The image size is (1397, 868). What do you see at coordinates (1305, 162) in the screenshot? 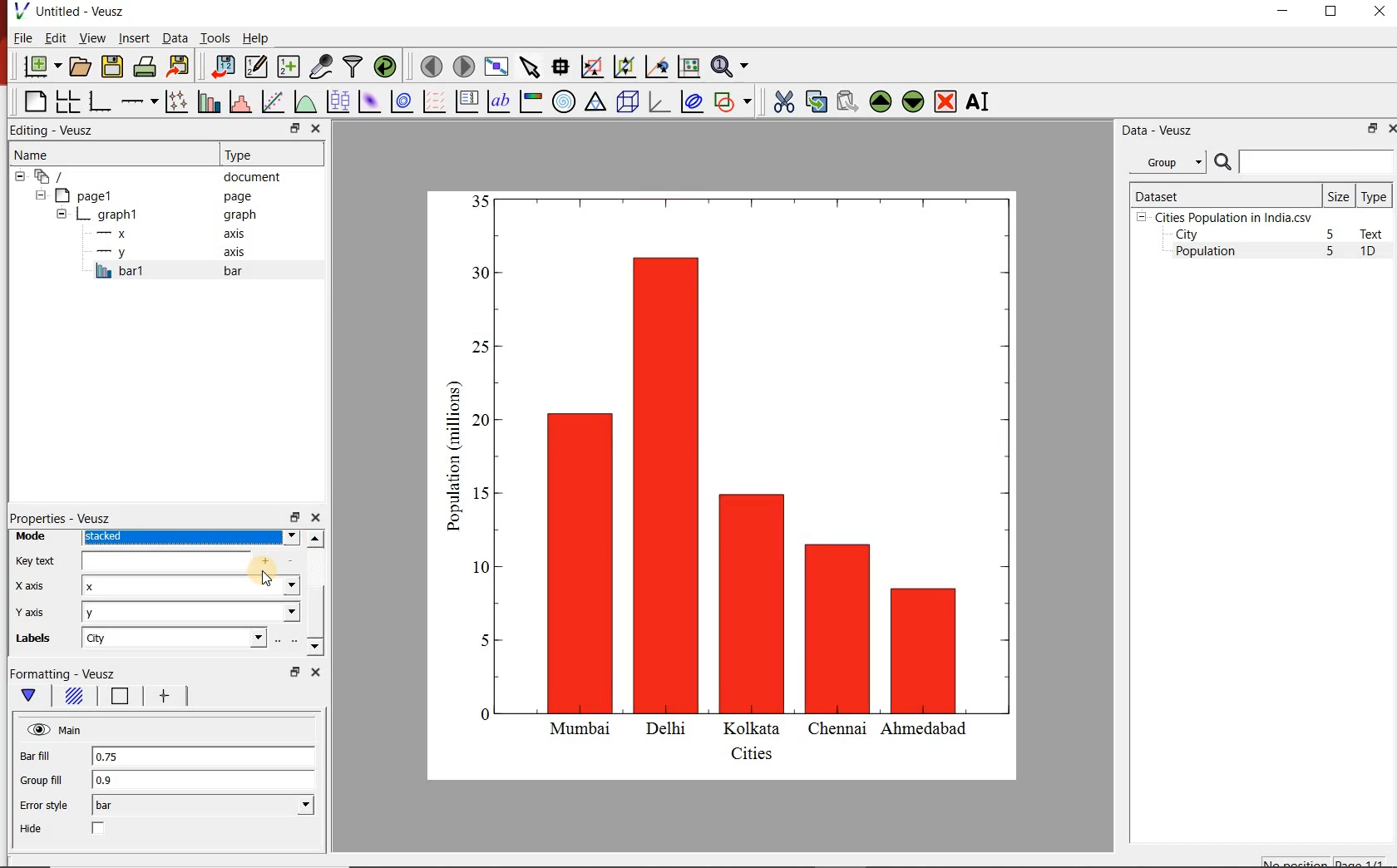
I see `search dataset` at bounding box center [1305, 162].